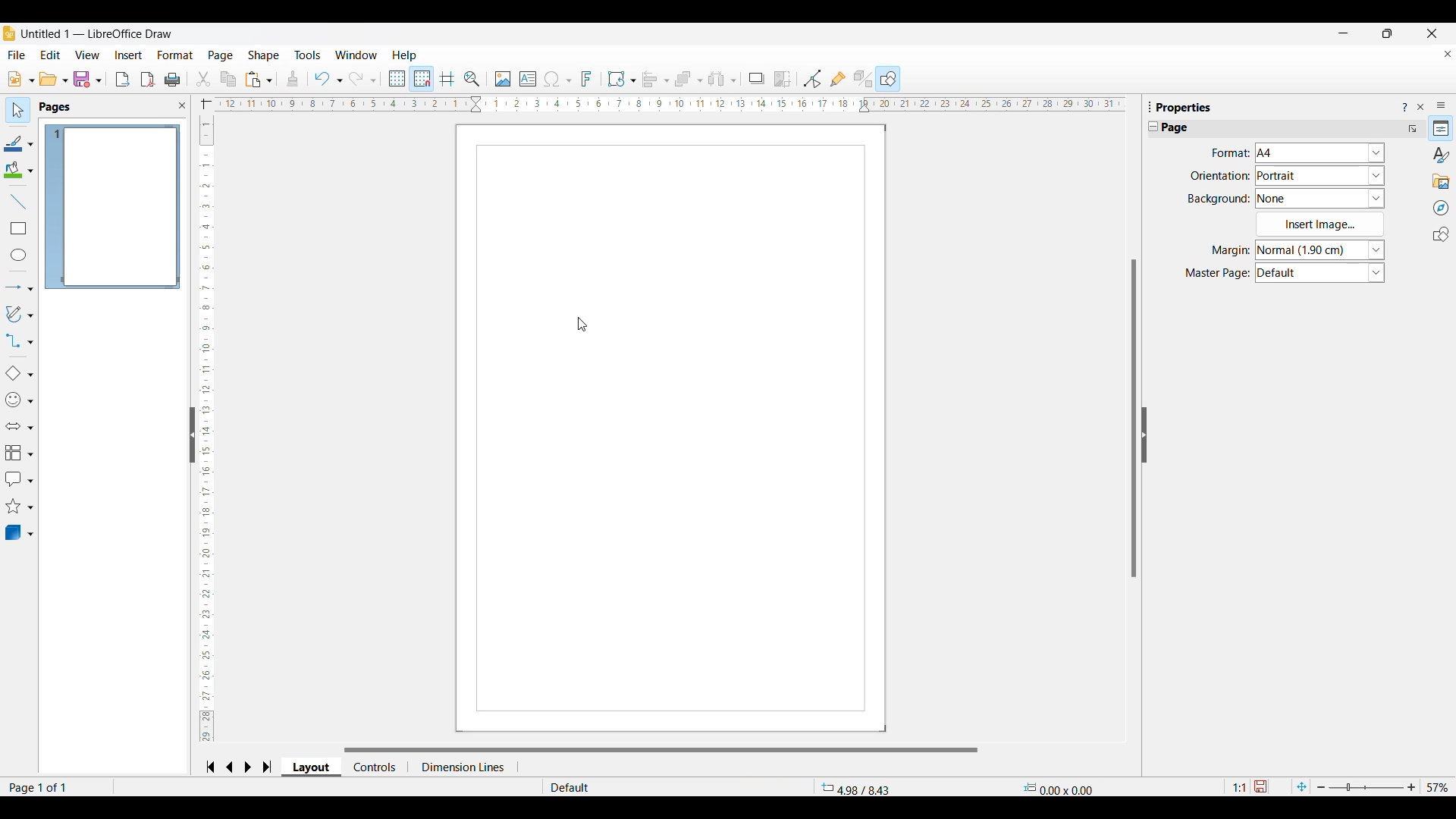  What do you see at coordinates (204, 80) in the screenshot?
I see `Cut` at bounding box center [204, 80].